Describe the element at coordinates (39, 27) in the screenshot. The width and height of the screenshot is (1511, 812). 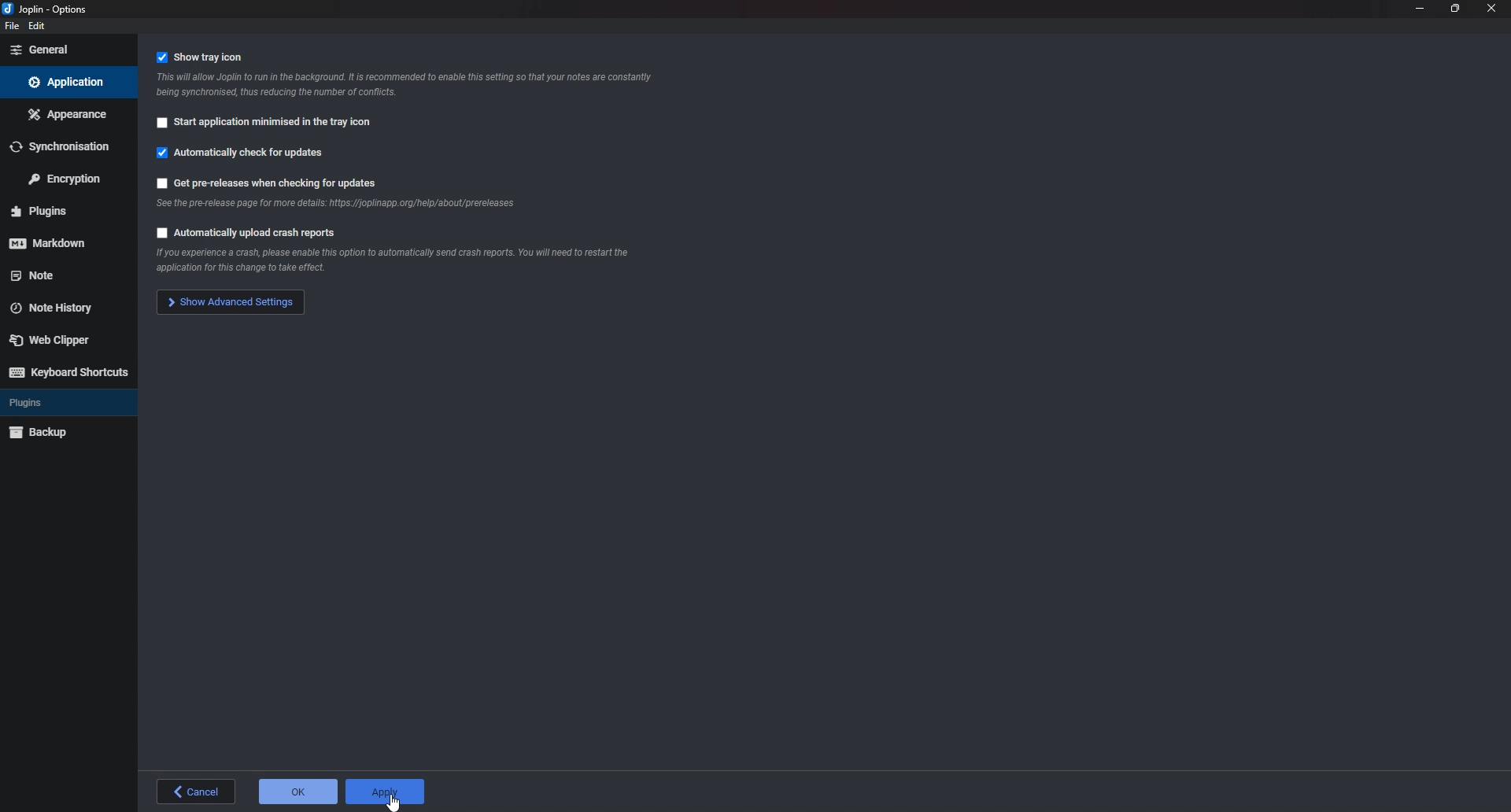
I see `edit` at that location.